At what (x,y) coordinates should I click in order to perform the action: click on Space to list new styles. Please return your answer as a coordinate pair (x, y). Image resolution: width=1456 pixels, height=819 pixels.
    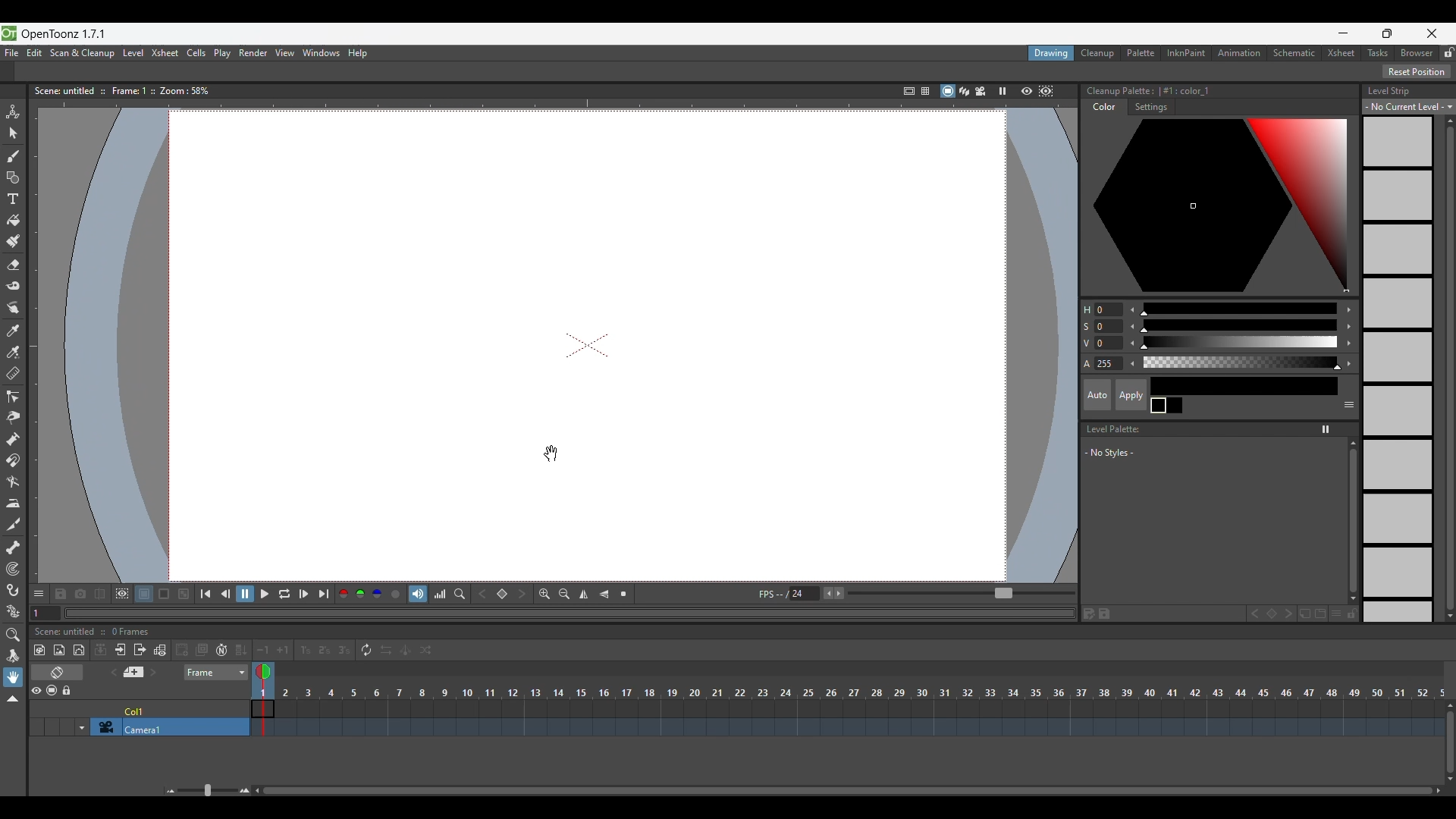
    Looking at the image, I should click on (1113, 497).